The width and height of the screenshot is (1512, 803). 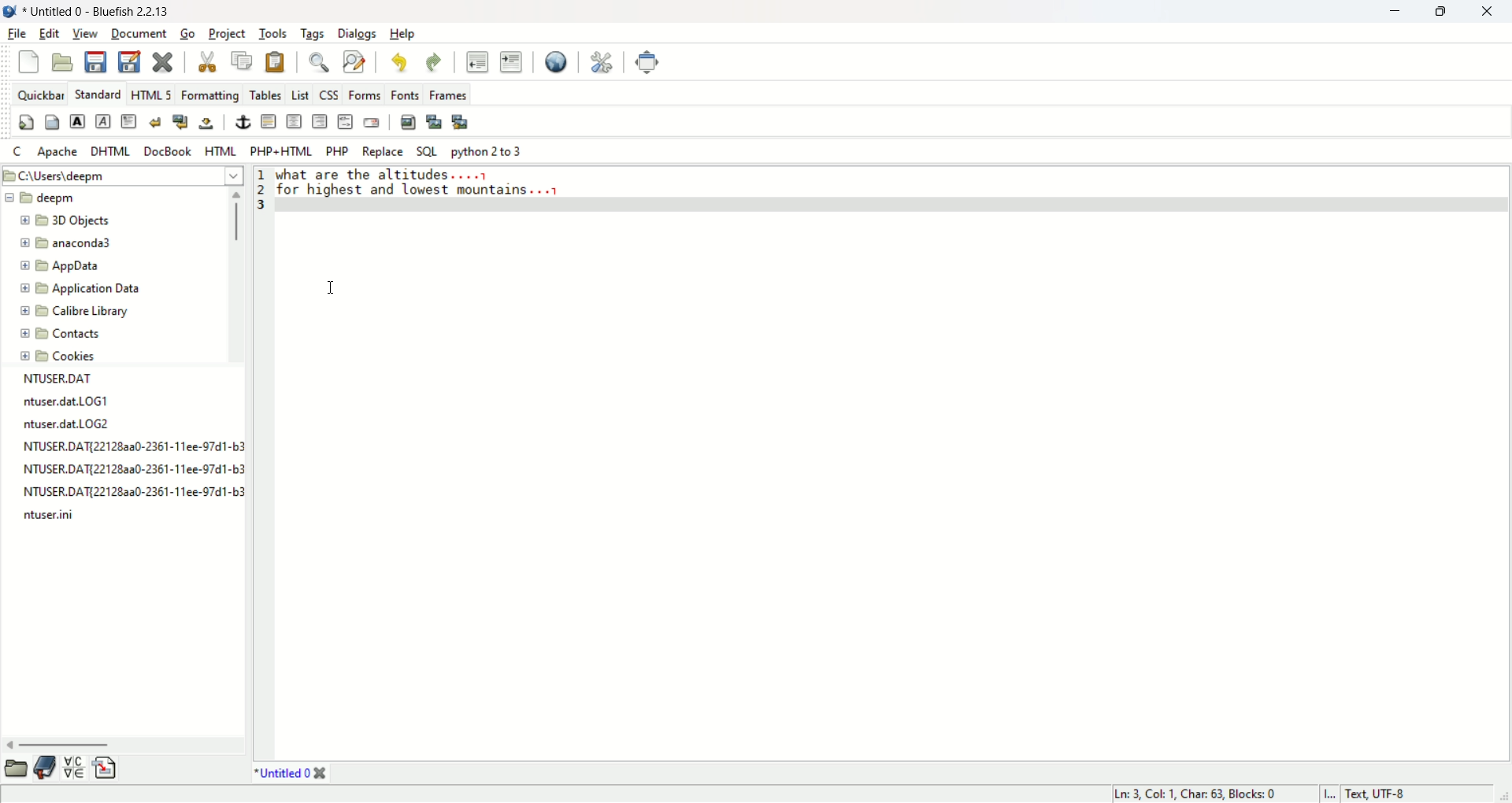 I want to click on python 2 to 3, so click(x=487, y=152).